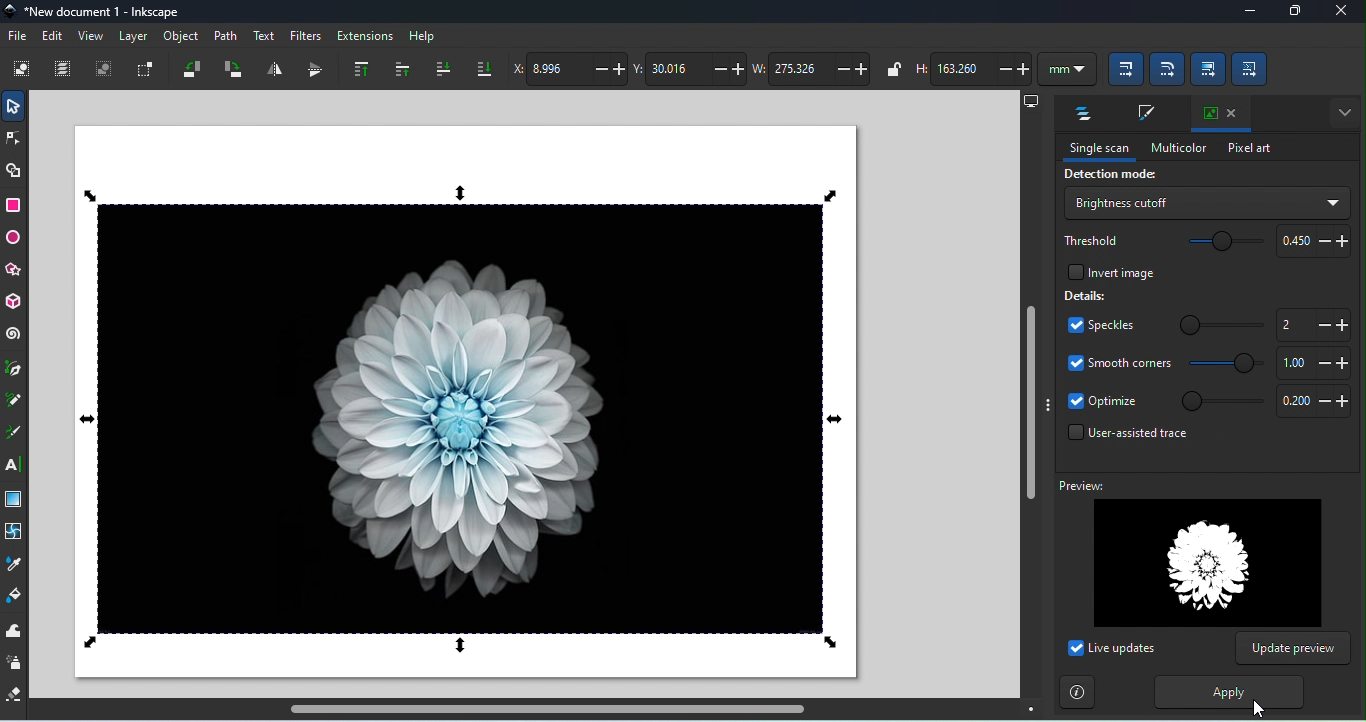 This screenshot has width=1366, height=722. What do you see at coordinates (15, 596) in the screenshot?
I see `paint bucket tool` at bounding box center [15, 596].